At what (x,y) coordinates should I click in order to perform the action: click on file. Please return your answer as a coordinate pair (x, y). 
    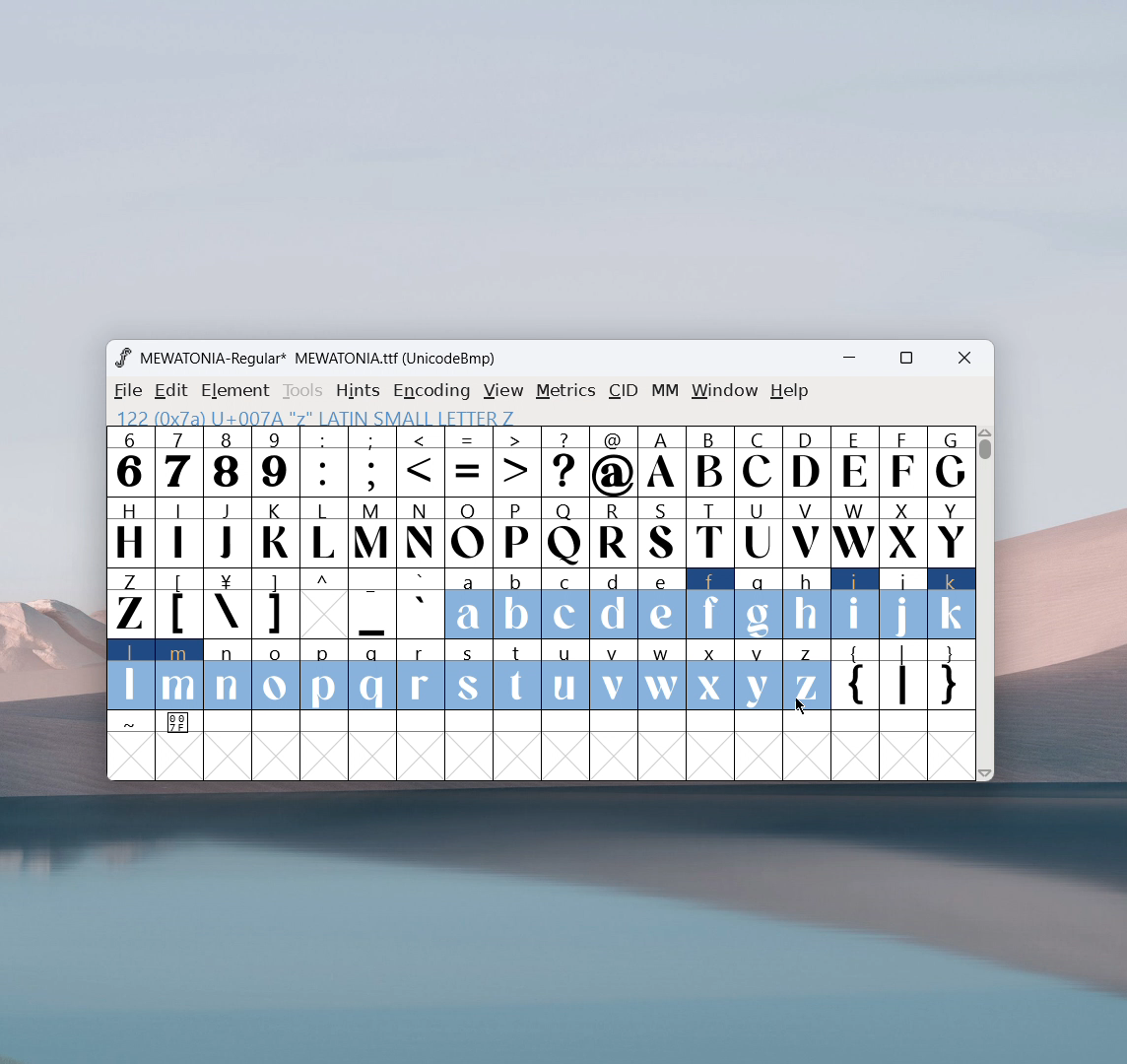
    Looking at the image, I should click on (125, 391).